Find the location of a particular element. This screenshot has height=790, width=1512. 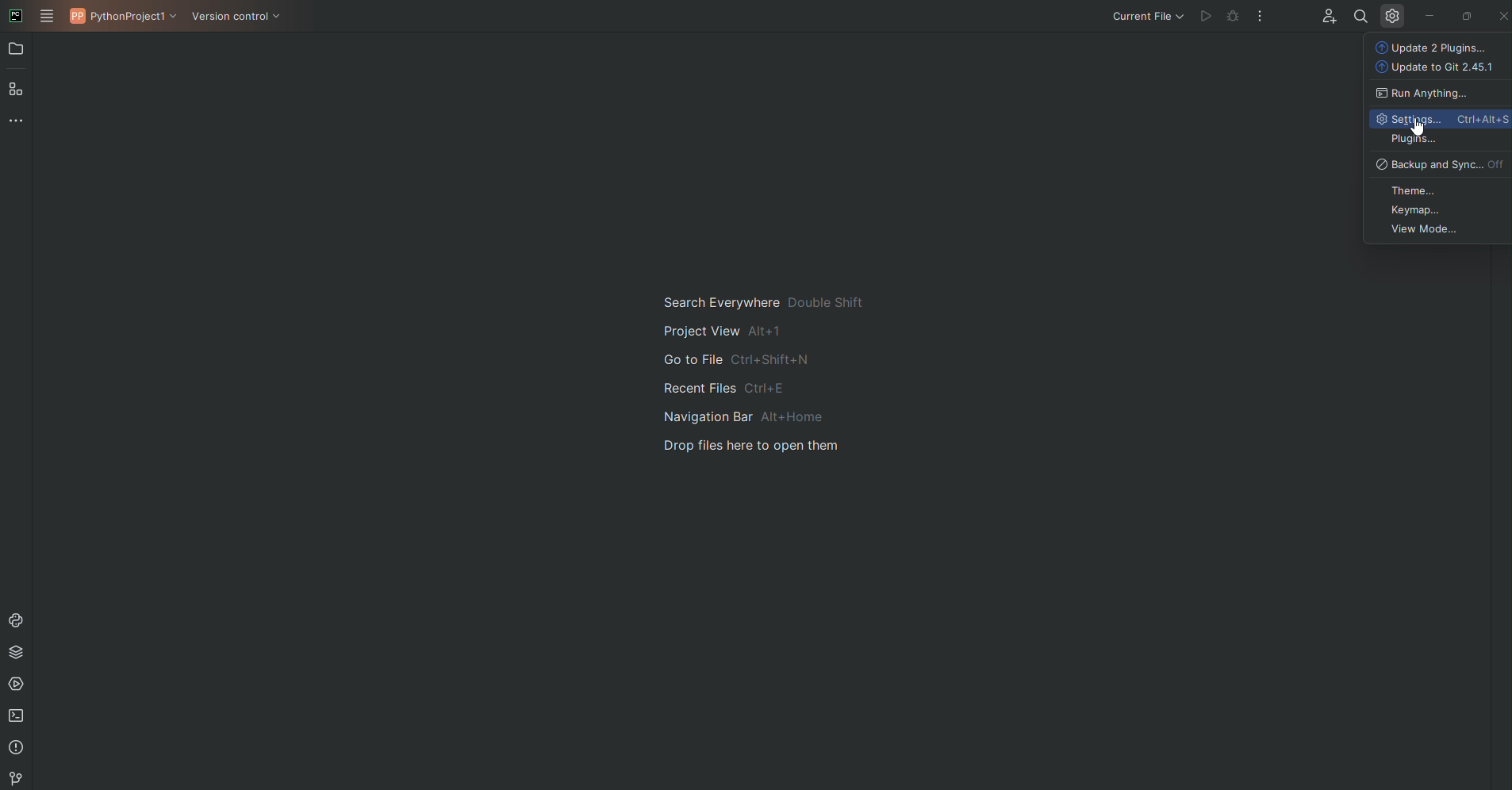

Update Plugins is located at coordinates (1432, 48).